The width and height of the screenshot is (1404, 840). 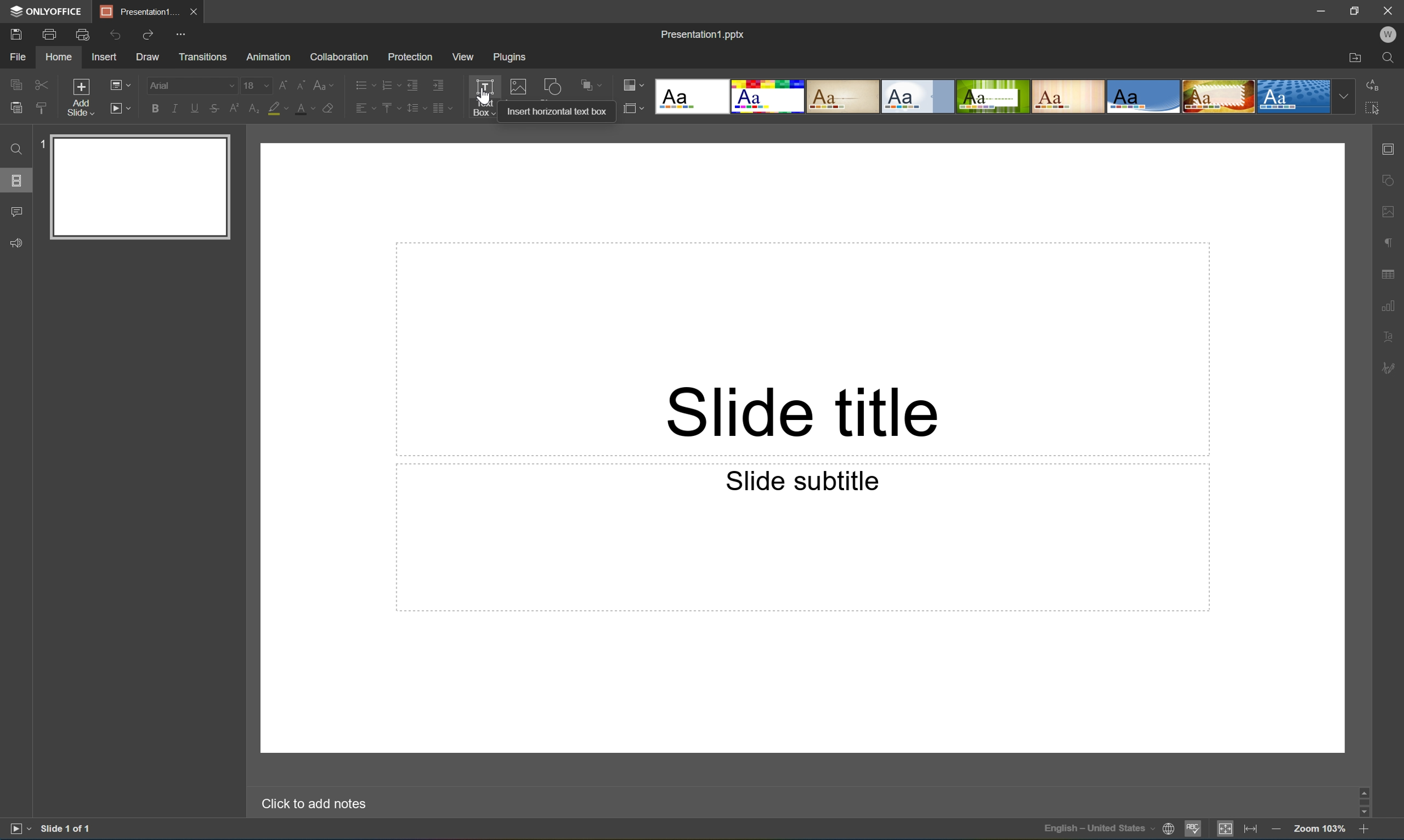 What do you see at coordinates (1361, 799) in the screenshot?
I see `Scroll Bar` at bounding box center [1361, 799].